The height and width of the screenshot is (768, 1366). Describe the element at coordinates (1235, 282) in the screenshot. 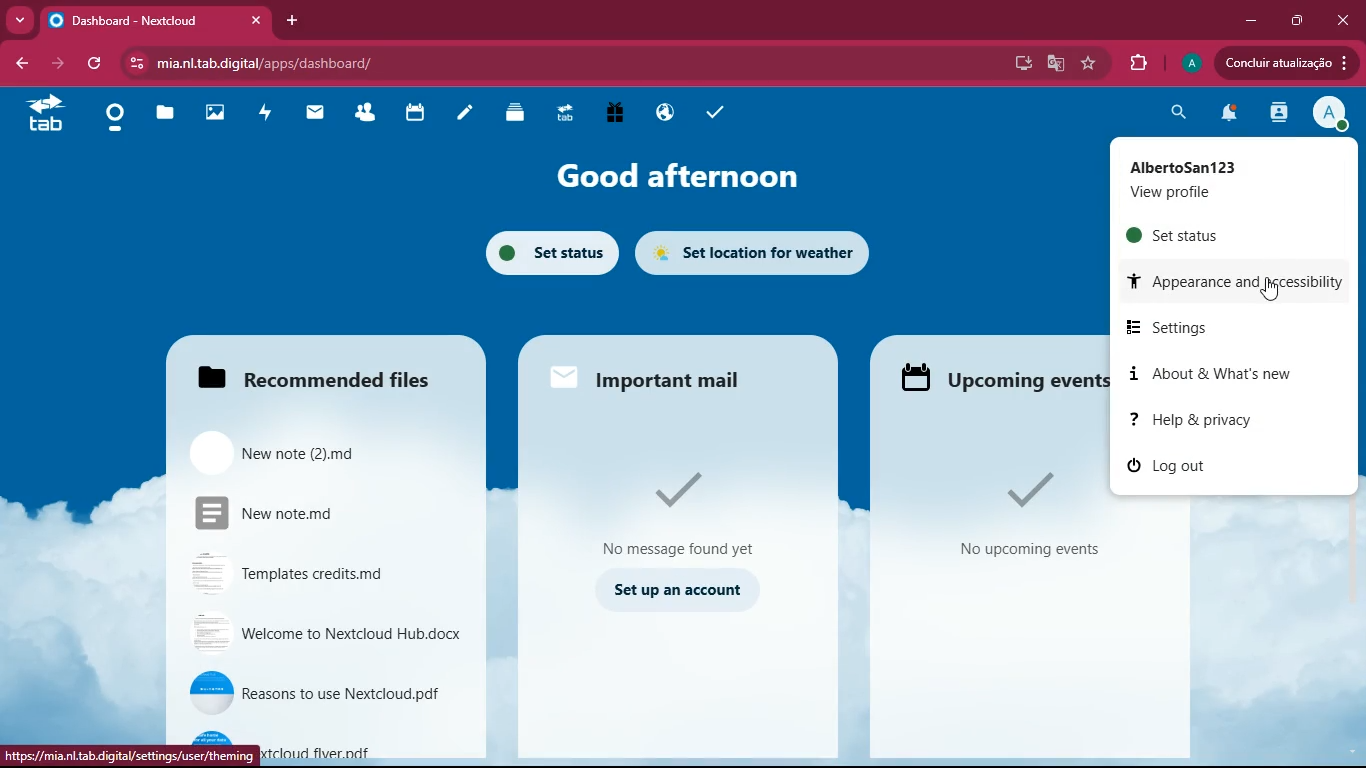

I see `appearance and accessibility` at that location.